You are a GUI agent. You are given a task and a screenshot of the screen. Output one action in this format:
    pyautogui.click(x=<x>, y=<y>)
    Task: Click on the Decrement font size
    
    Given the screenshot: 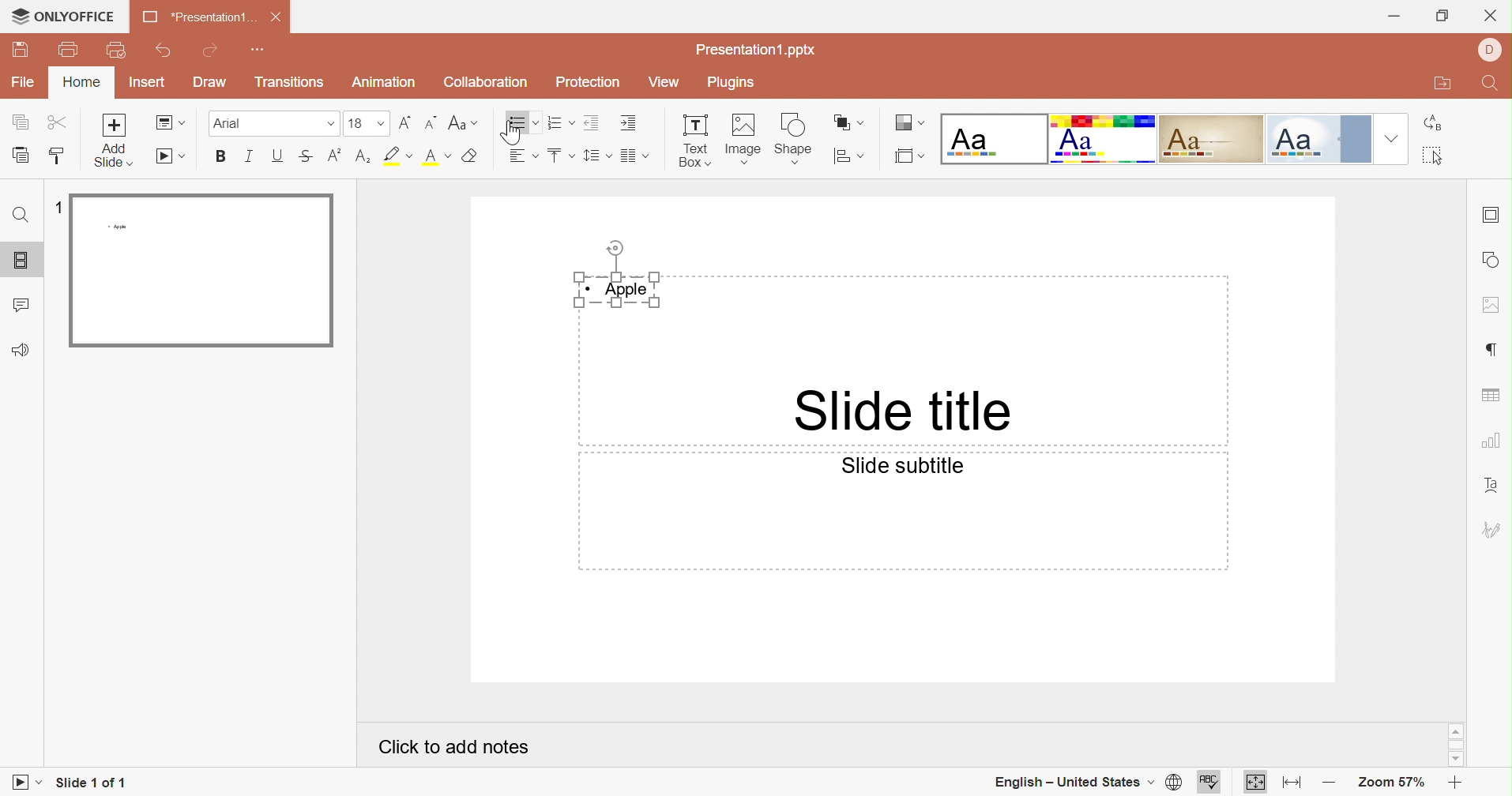 What is the action you would take?
    pyautogui.click(x=430, y=122)
    